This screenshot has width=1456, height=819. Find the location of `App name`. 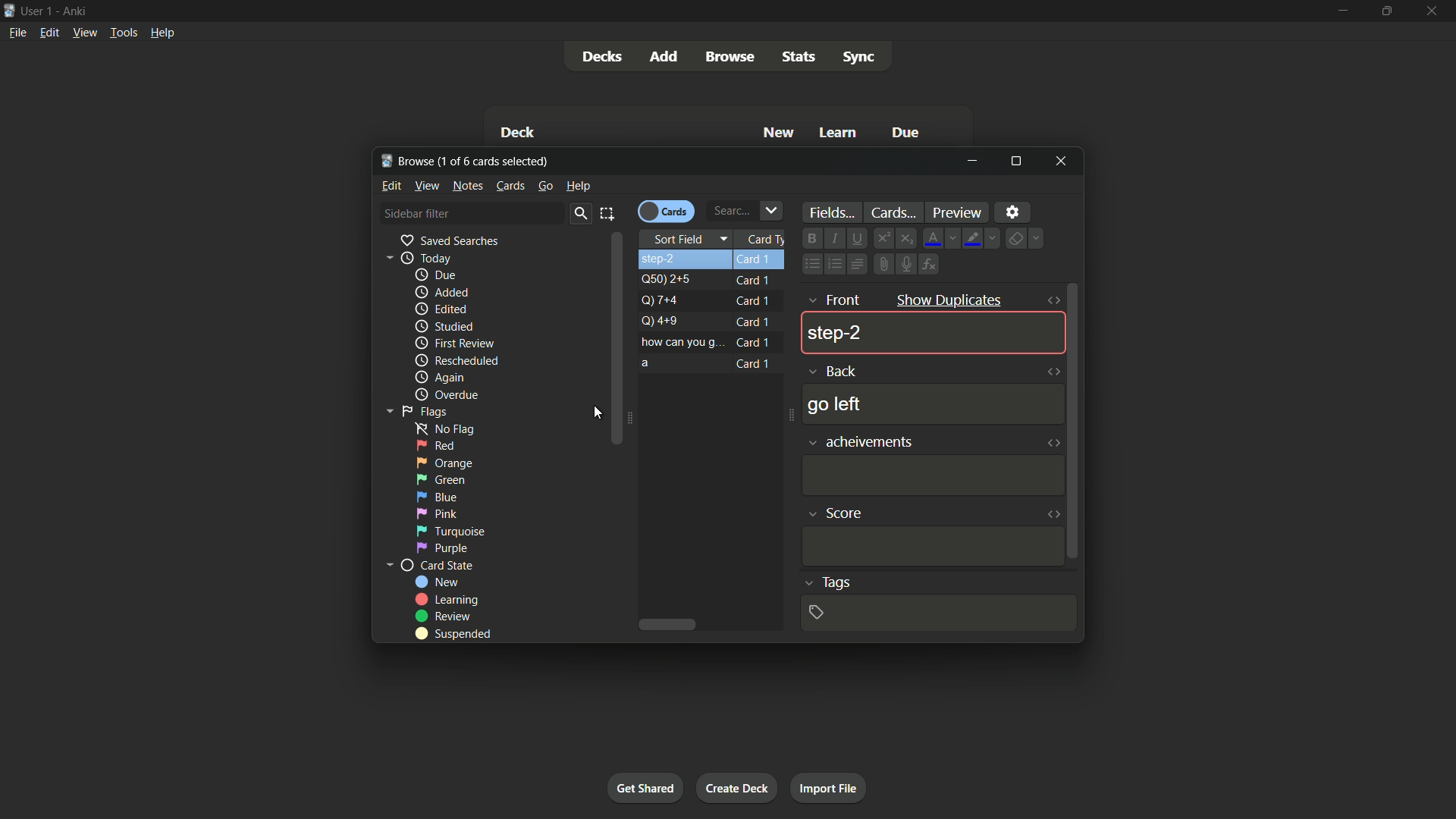

App name is located at coordinates (78, 11).